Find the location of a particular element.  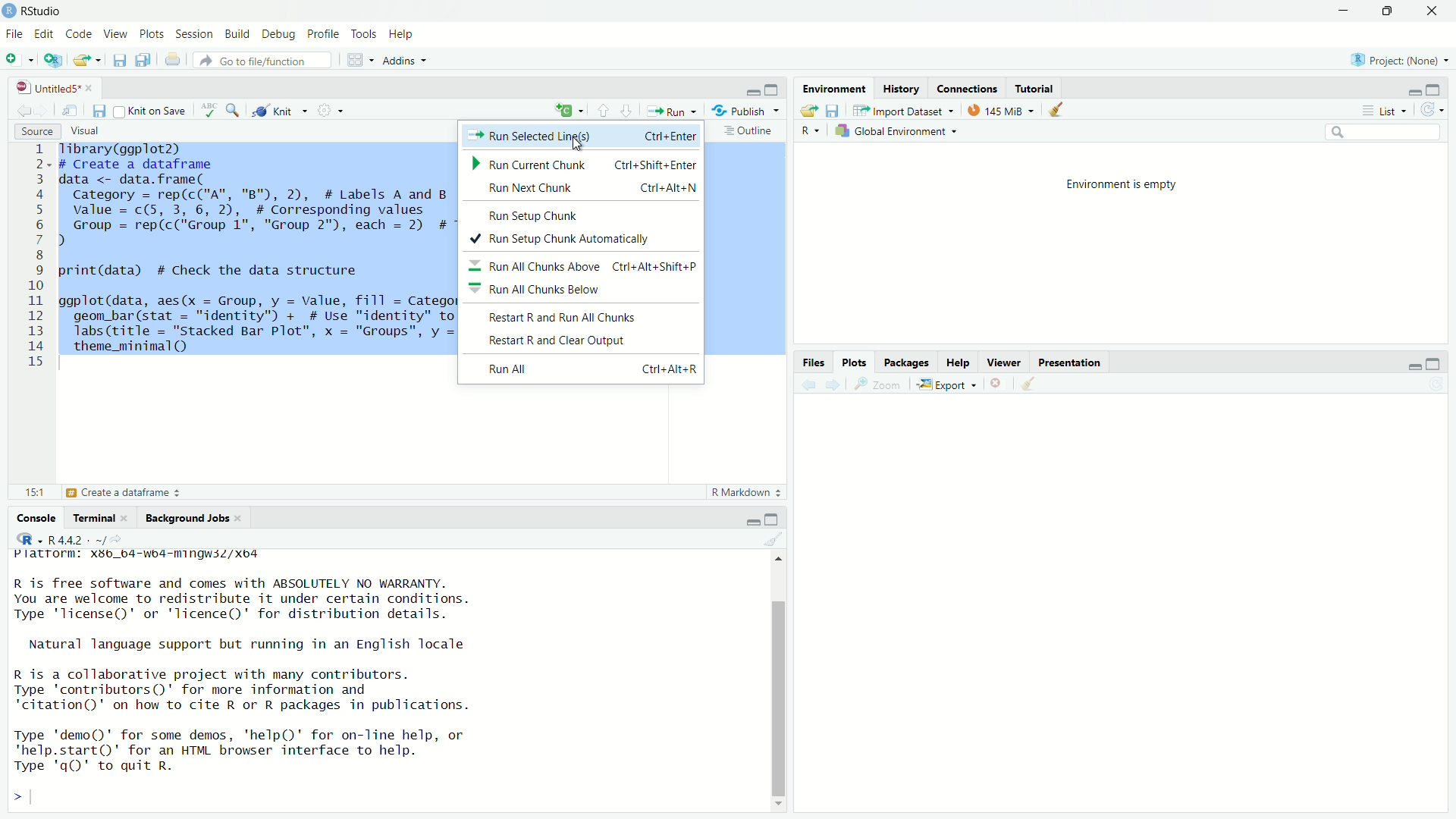

Scrollbar is located at coordinates (779, 691).